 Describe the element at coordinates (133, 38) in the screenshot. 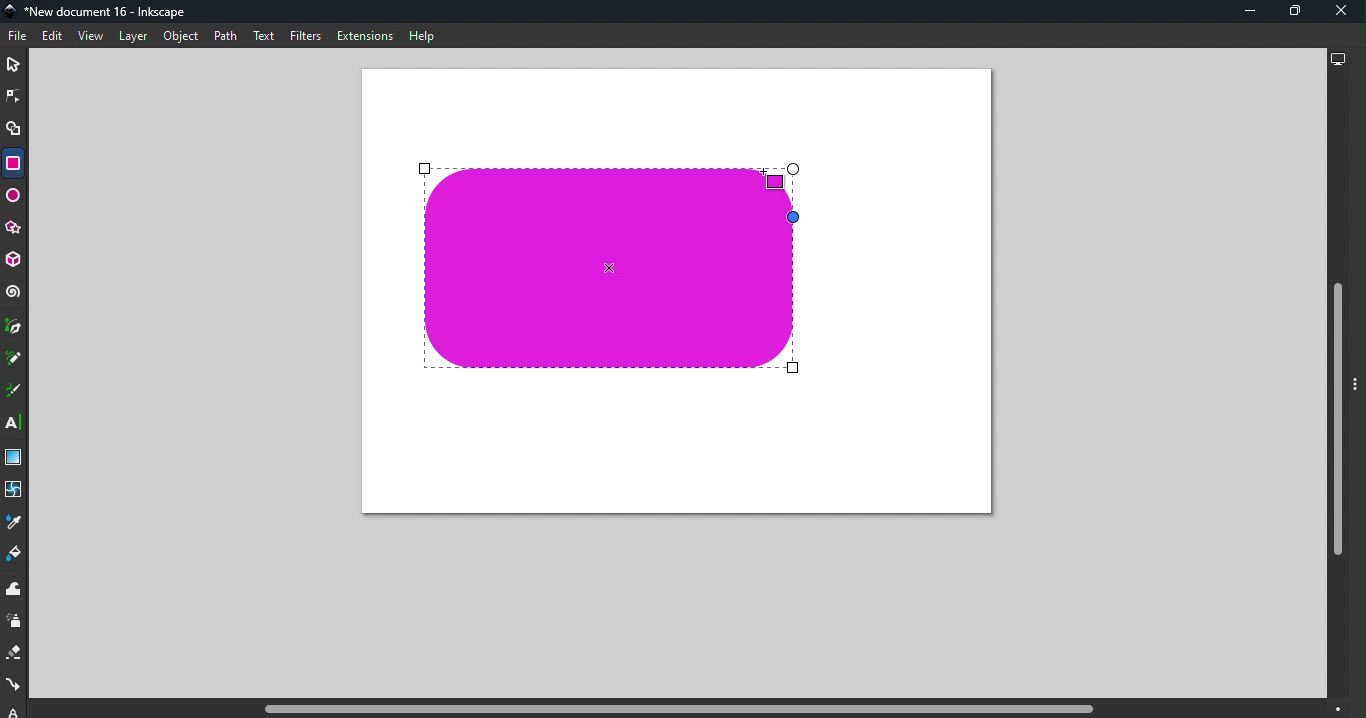

I see `Layer` at that location.